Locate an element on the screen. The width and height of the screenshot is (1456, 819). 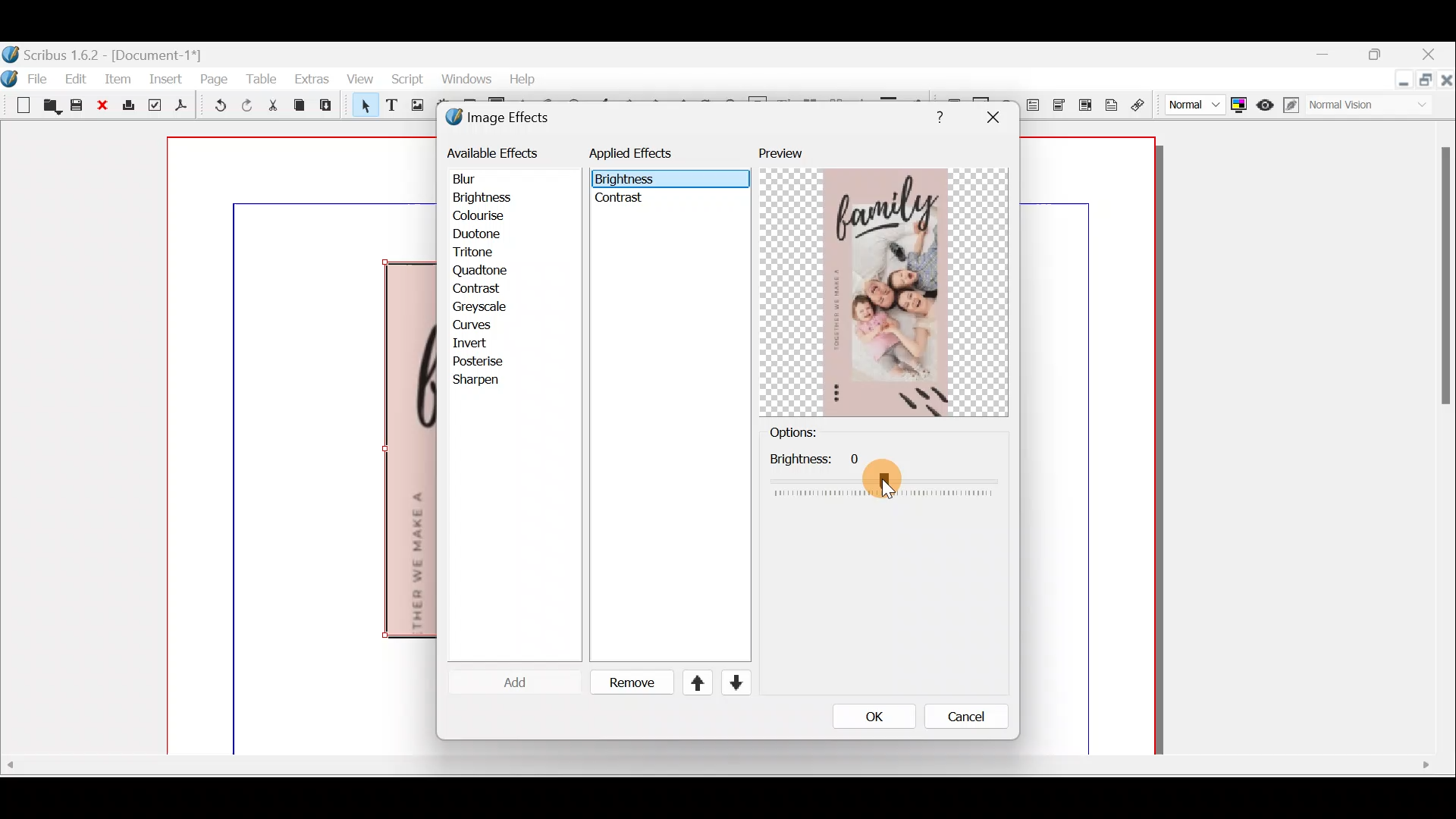
Minimise is located at coordinates (1327, 55).